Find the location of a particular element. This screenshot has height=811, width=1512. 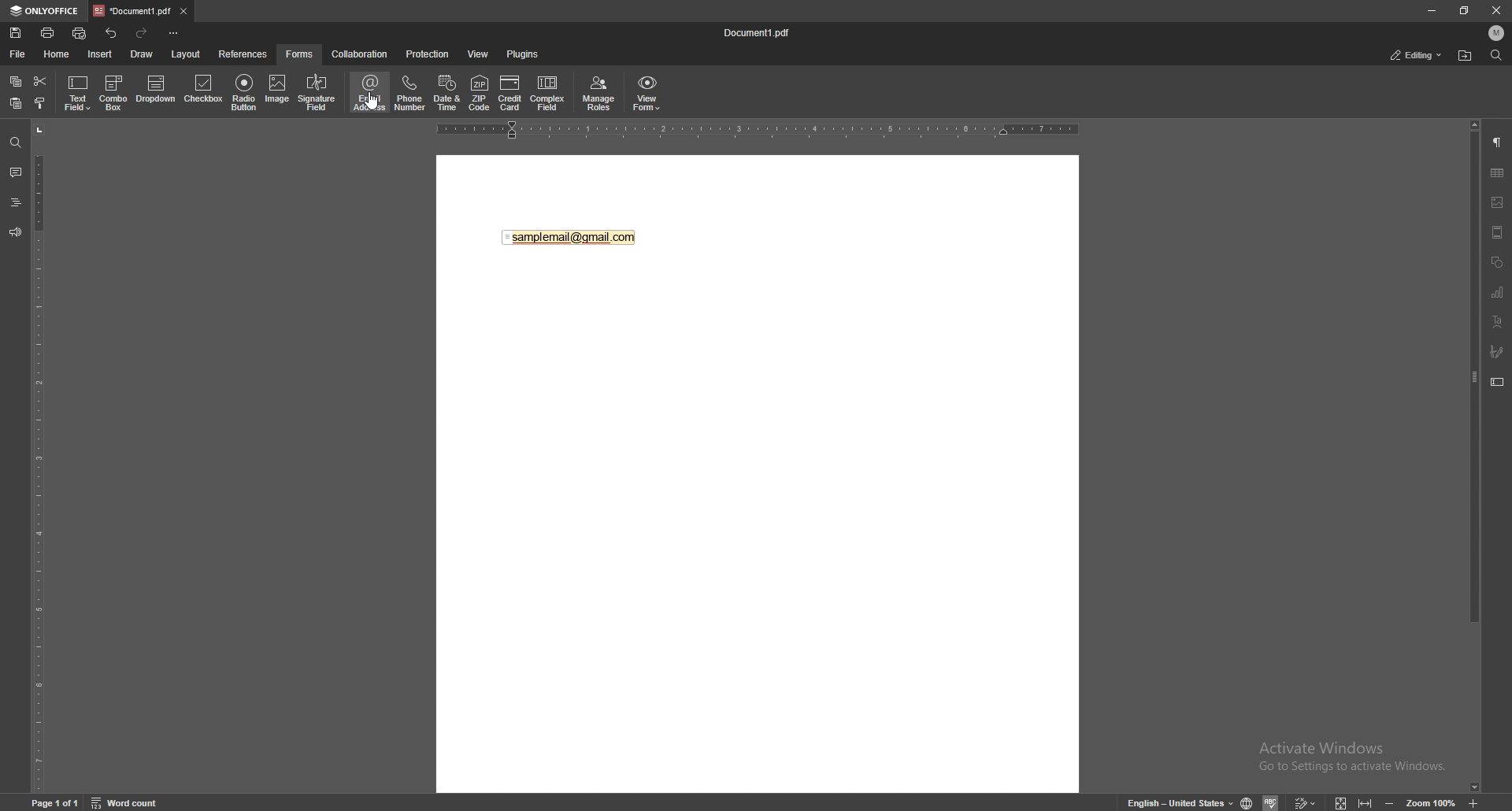

find is located at coordinates (16, 142).